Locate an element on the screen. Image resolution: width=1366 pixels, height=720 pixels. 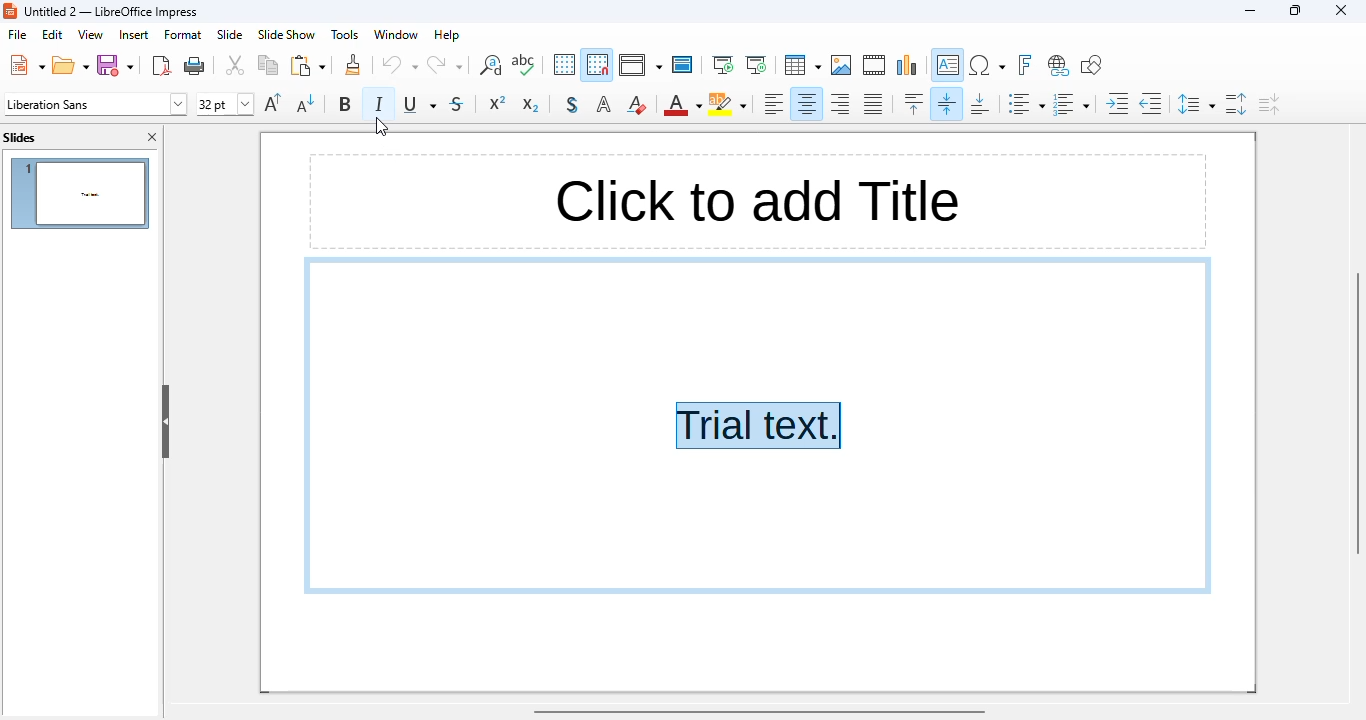
font name is located at coordinates (95, 105).